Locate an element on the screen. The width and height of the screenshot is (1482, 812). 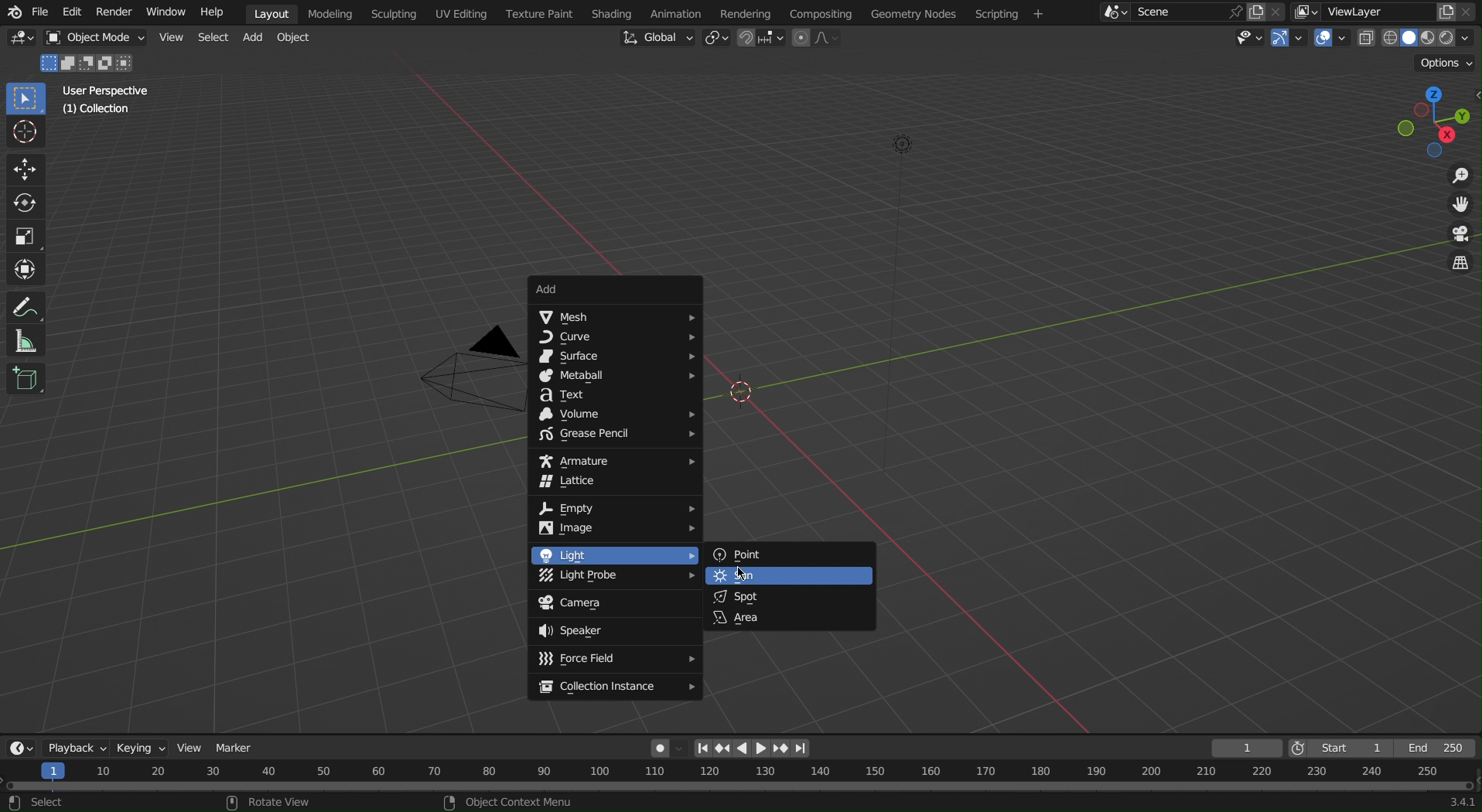
Toggle View is located at coordinates (1458, 265).